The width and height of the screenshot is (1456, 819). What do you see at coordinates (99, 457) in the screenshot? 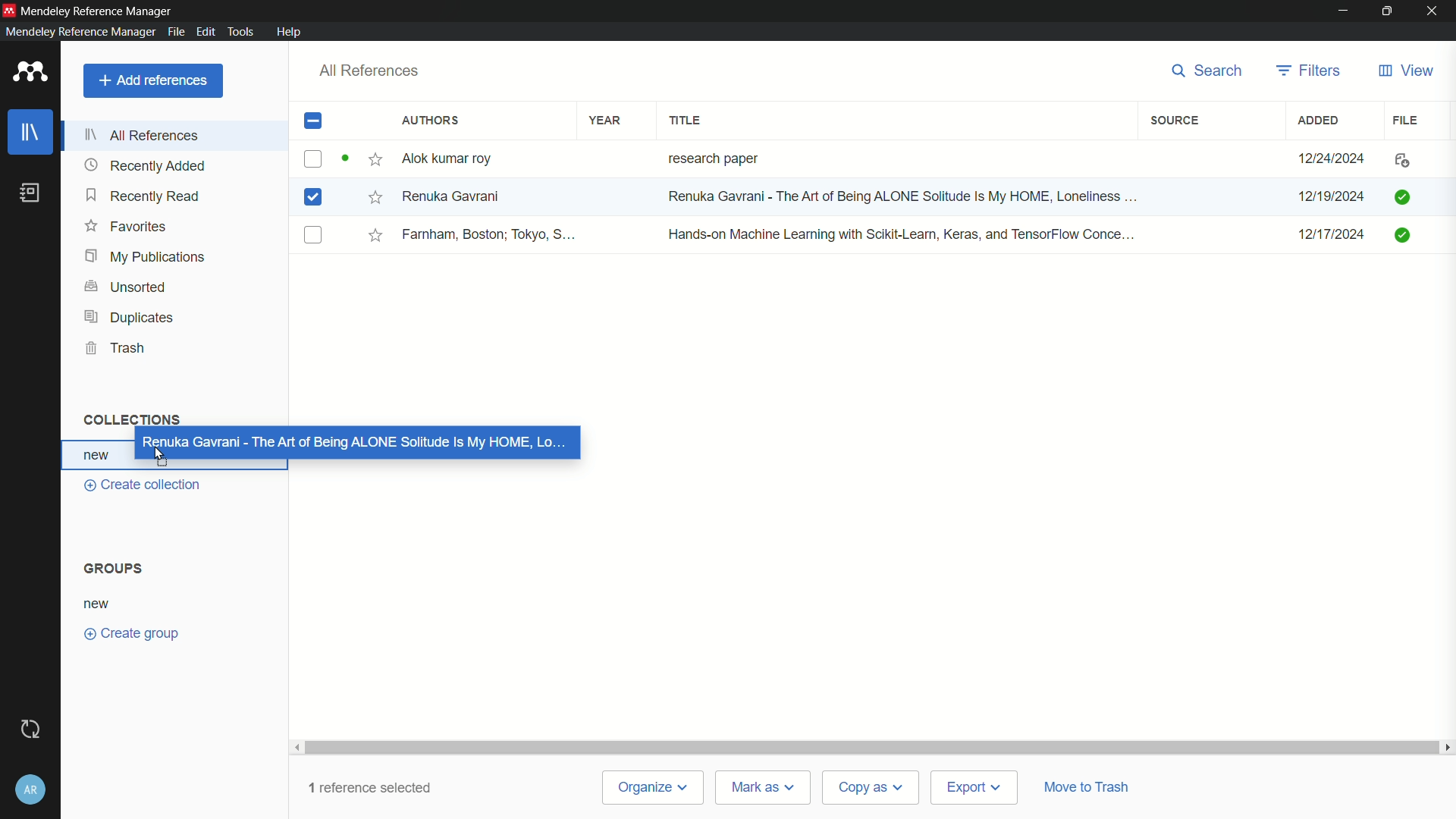
I see `new` at bounding box center [99, 457].